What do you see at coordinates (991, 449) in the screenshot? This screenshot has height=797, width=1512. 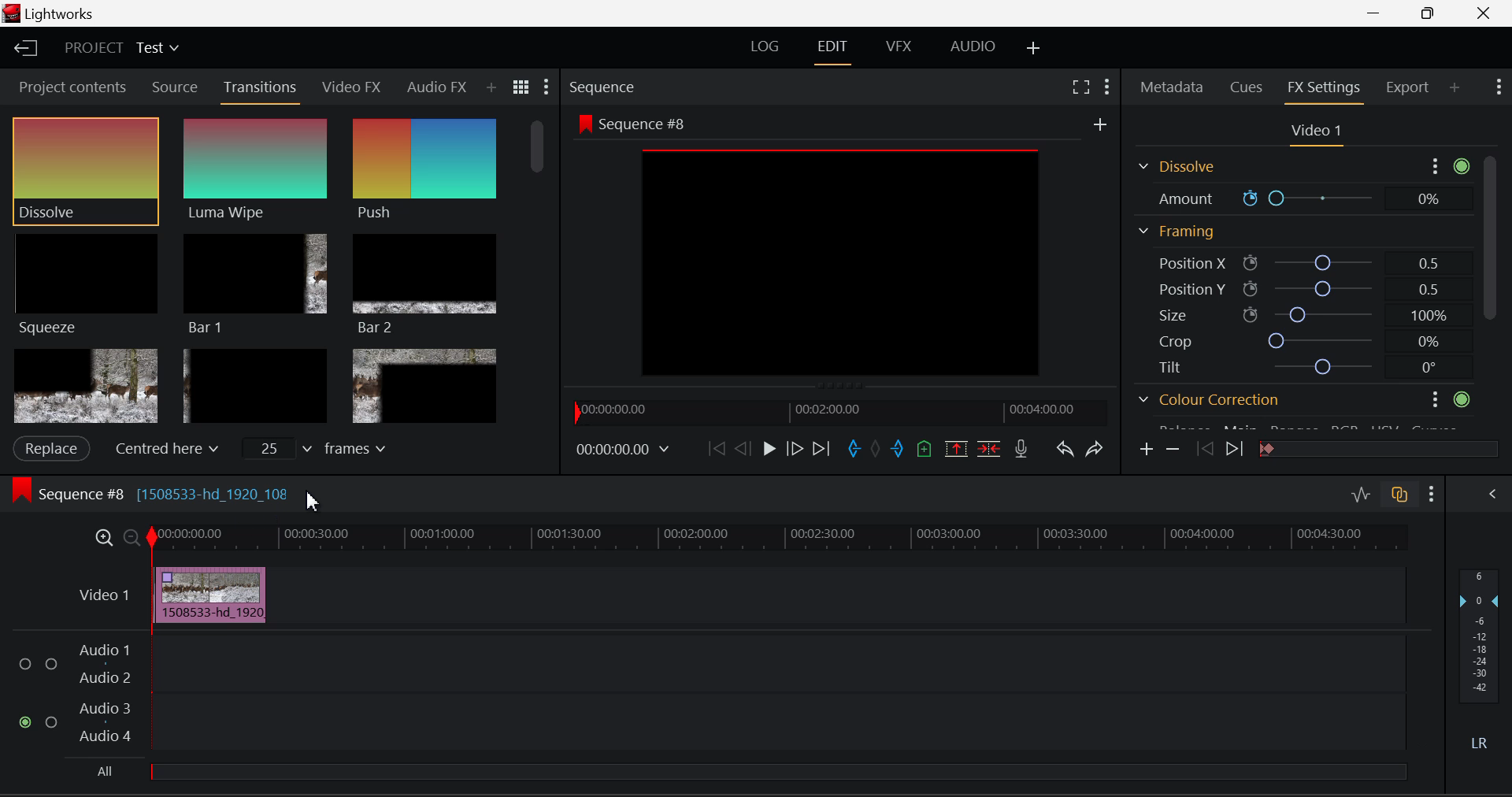 I see `Delete/Cut` at bounding box center [991, 449].